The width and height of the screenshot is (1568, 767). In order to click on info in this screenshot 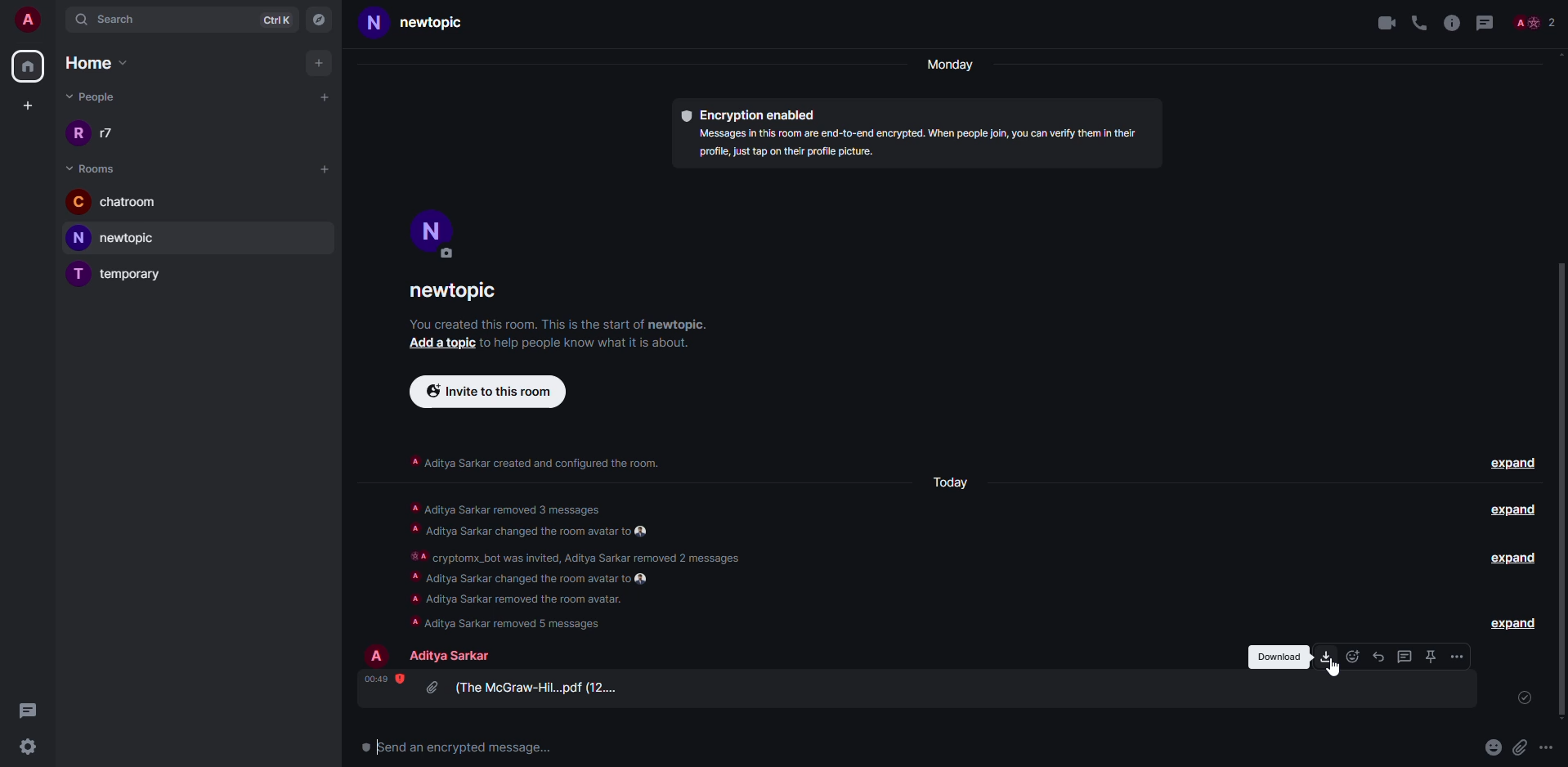, I will do `click(598, 345)`.